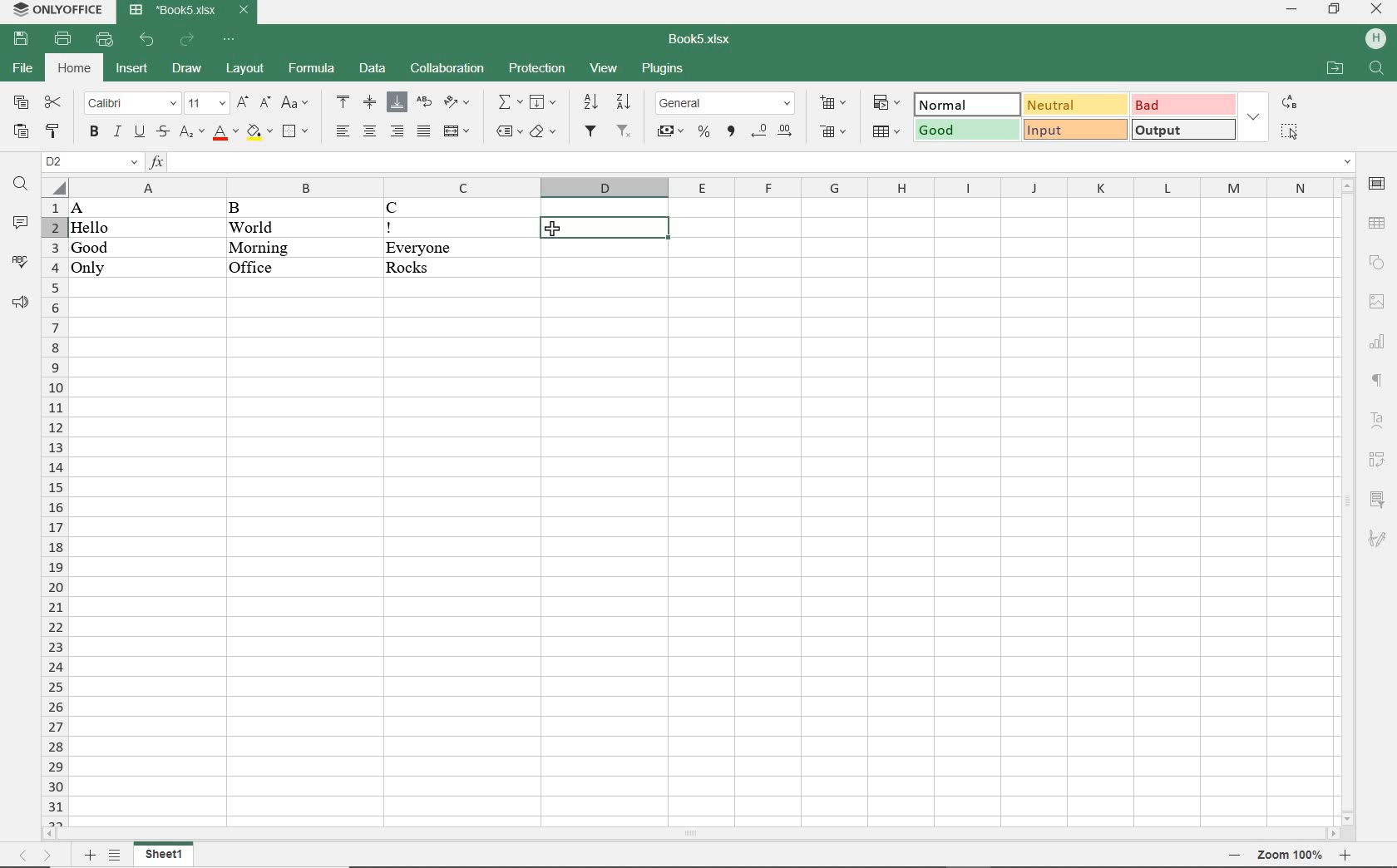 The height and width of the screenshot is (868, 1397). I want to click on wrap text, so click(423, 104).